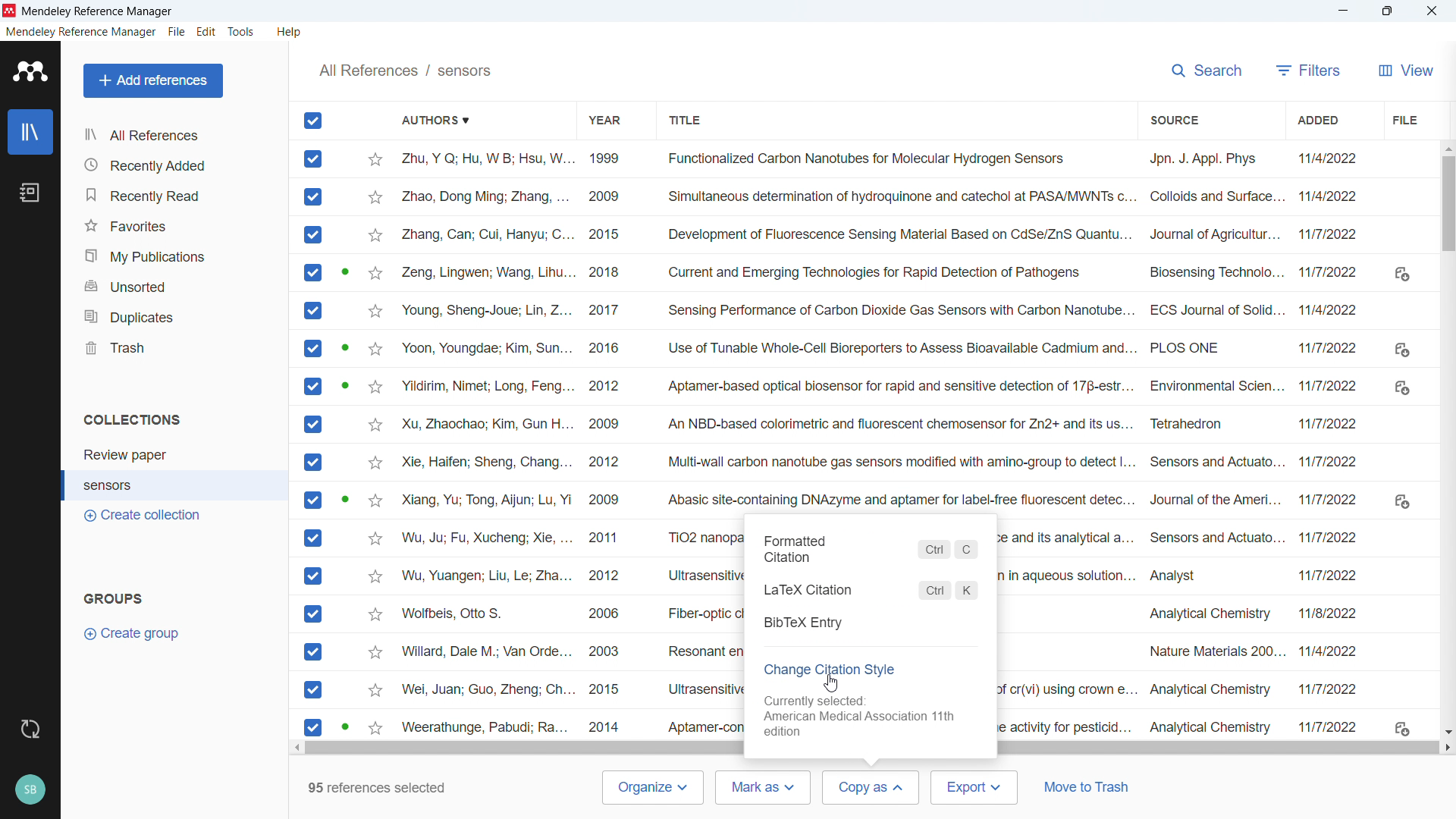  I want to click on profile, so click(30, 790).